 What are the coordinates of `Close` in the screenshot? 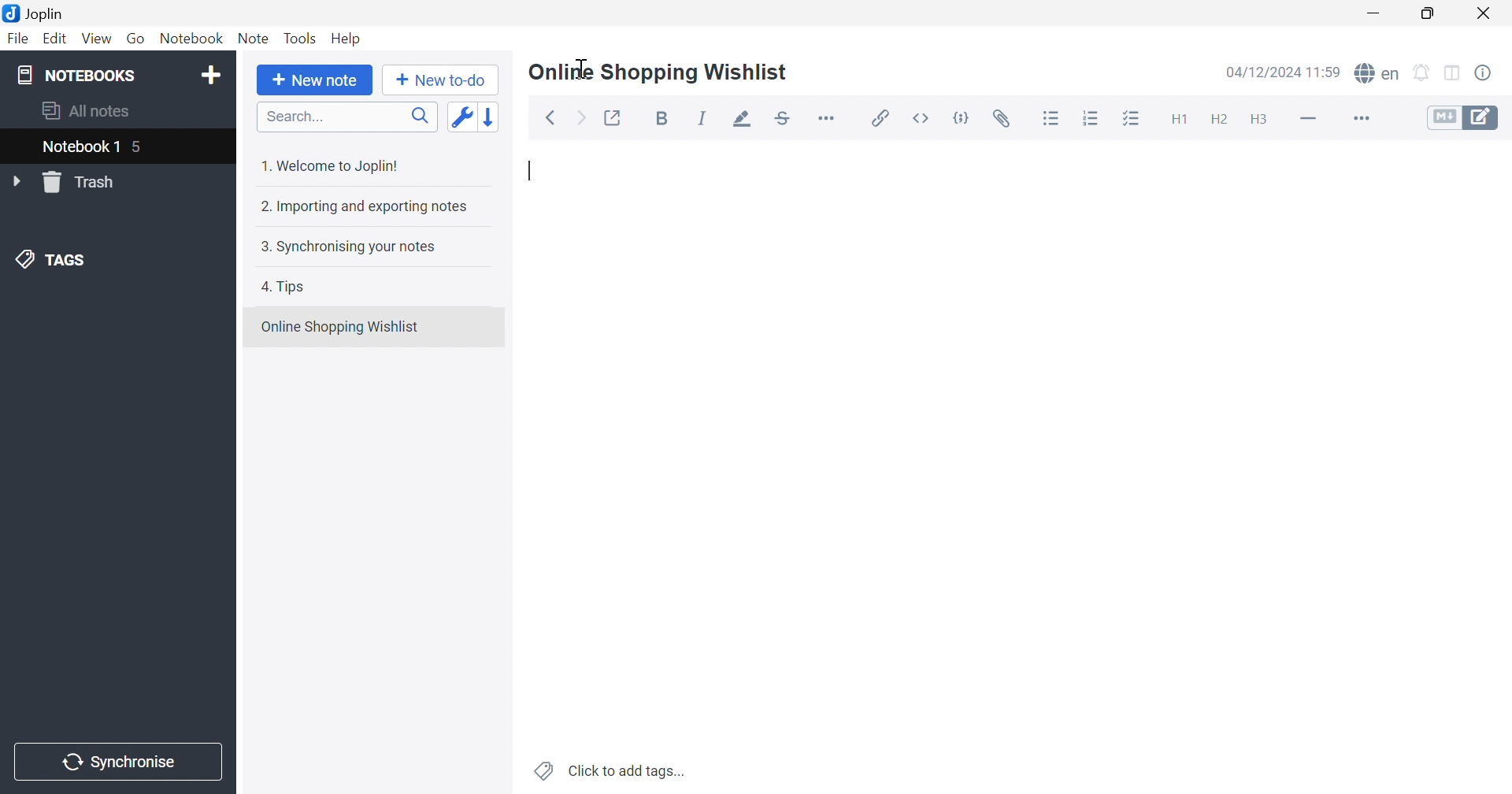 It's located at (1485, 12).